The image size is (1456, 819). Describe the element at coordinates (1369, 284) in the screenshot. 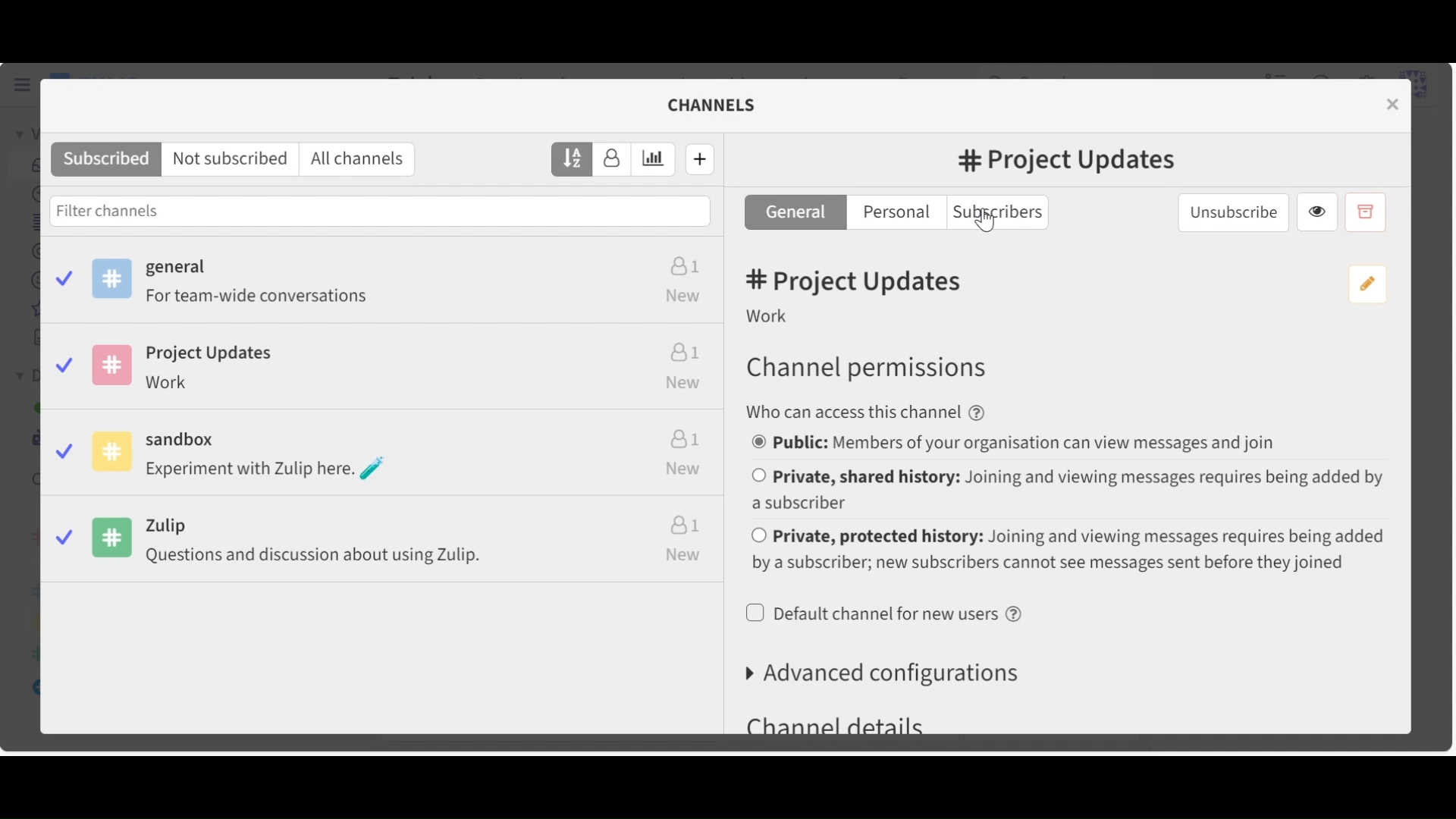

I see `Edit Channel name and description` at that location.